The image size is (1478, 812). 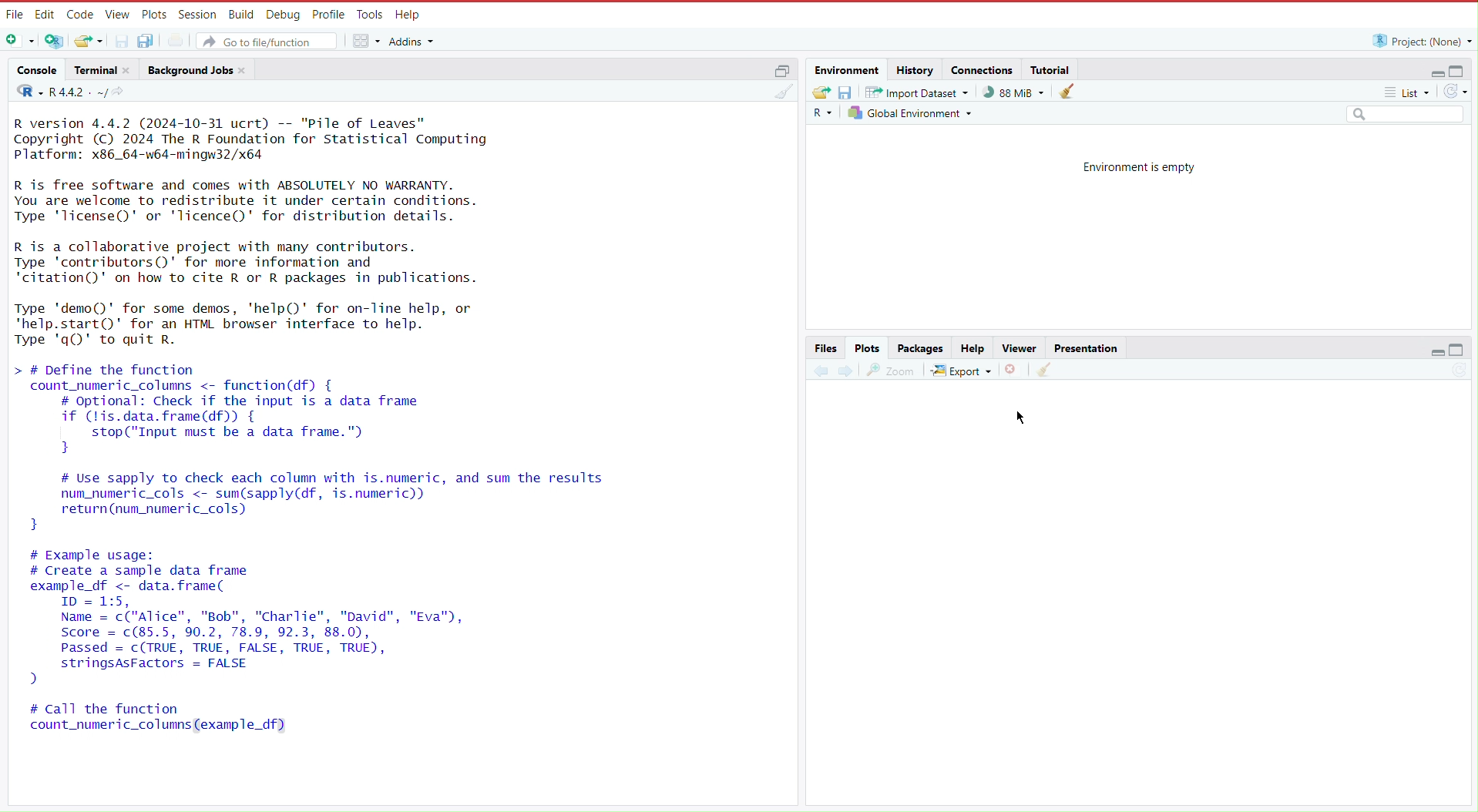 What do you see at coordinates (1431, 73) in the screenshot?
I see `Minimize` at bounding box center [1431, 73].